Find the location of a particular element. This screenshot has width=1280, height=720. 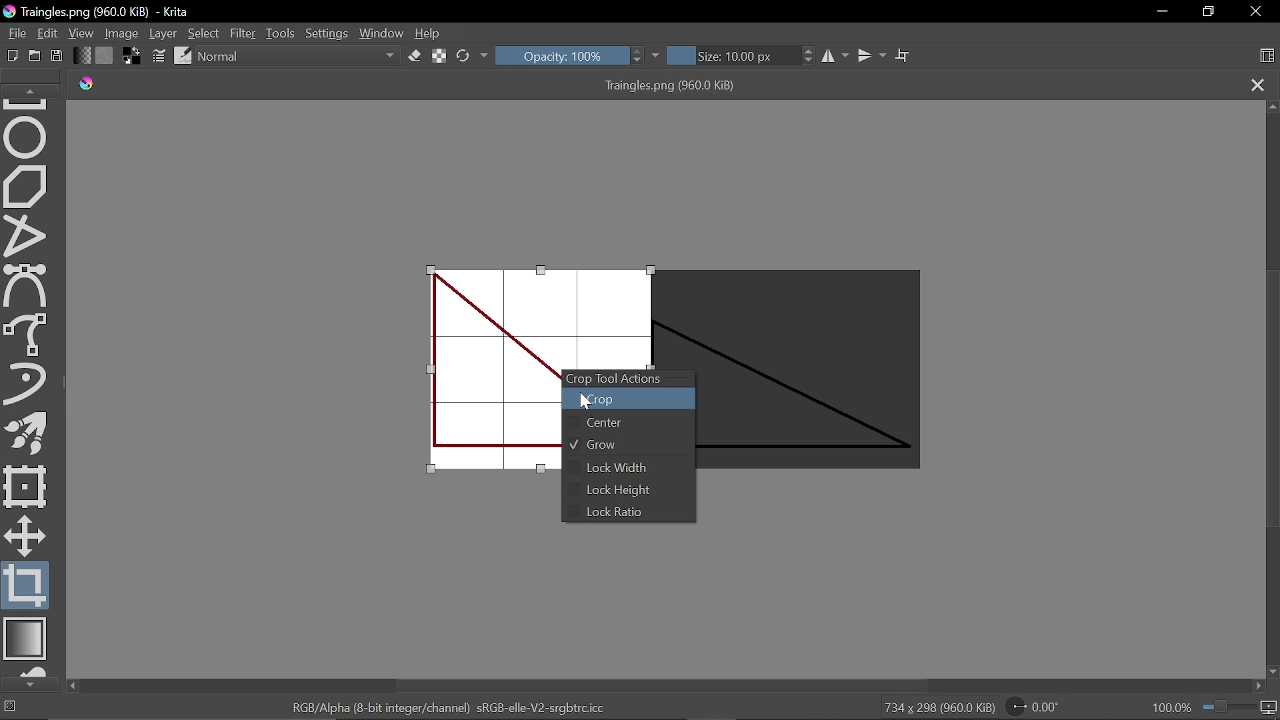

Tools is located at coordinates (281, 33).